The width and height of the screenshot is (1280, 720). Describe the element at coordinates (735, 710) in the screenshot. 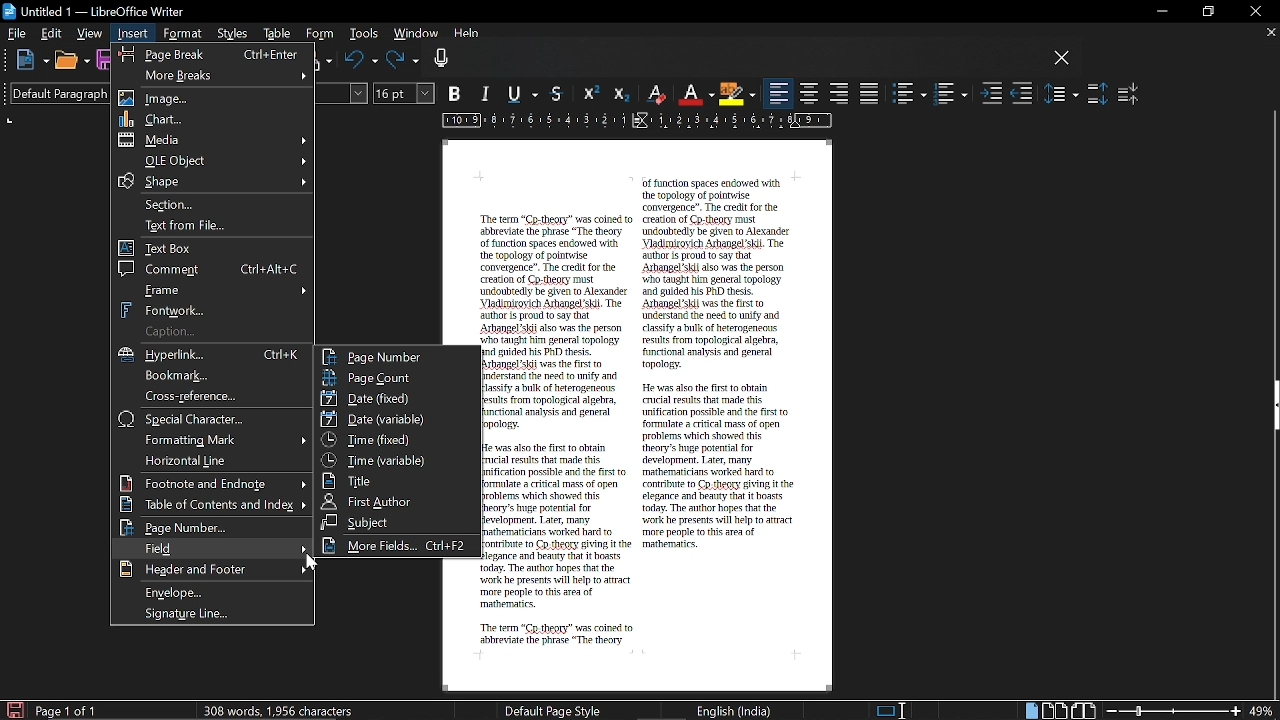

I see `English (India)` at that location.